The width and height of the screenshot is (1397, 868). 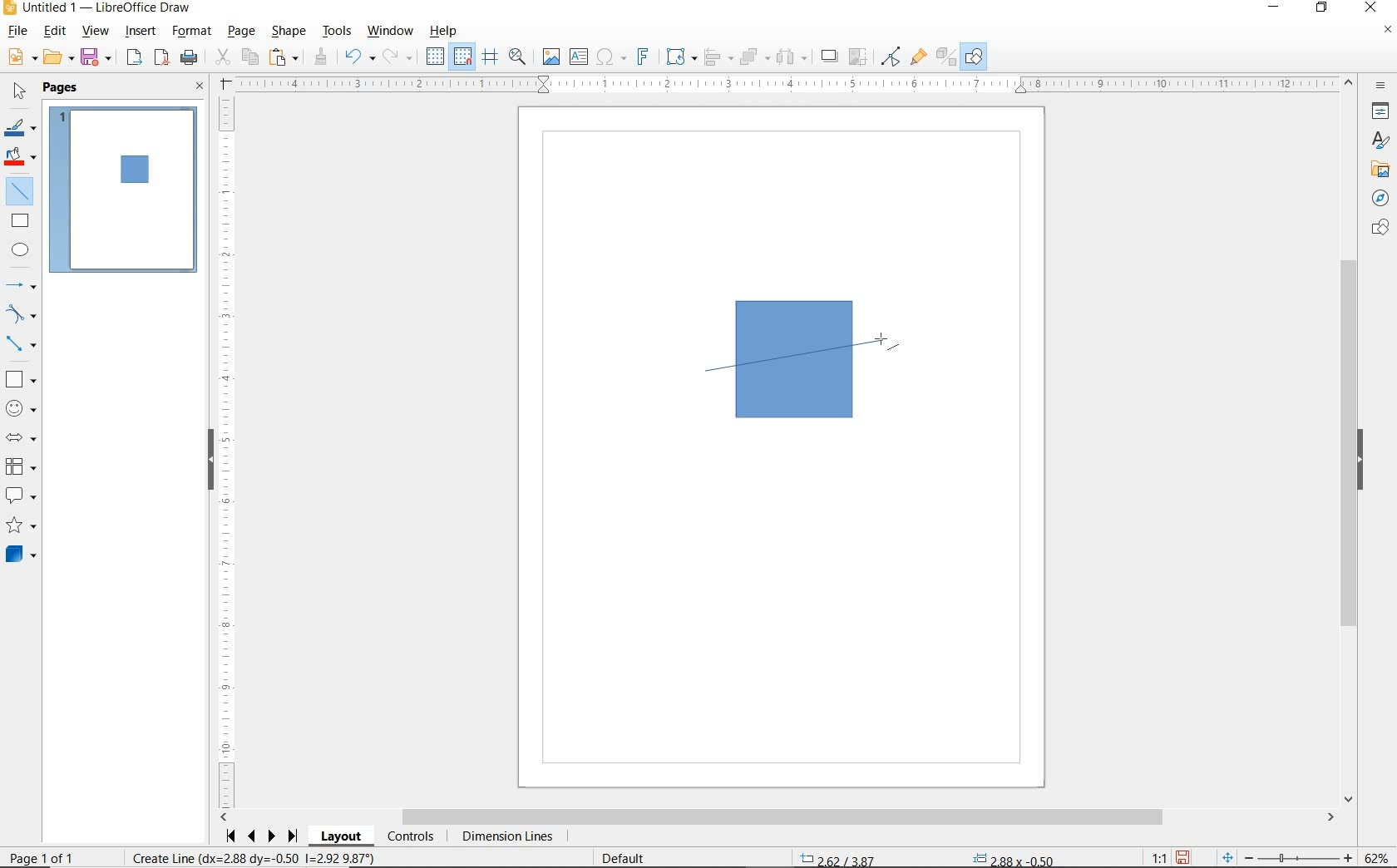 I want to click on DRAWING LINE, so click(x=798, y=355).